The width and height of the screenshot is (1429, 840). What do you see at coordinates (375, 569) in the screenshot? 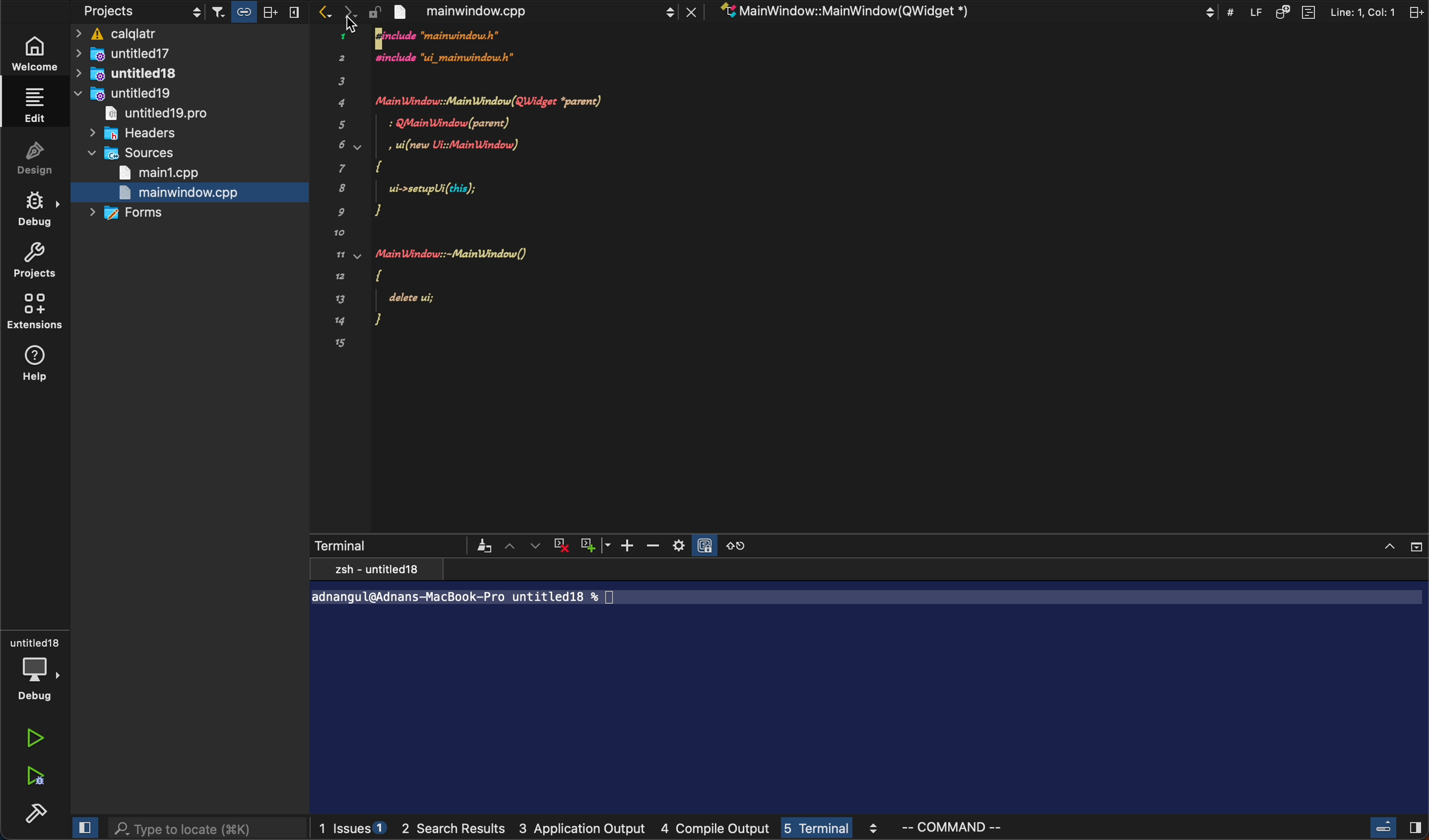
I see `text` at bounding box center [375, 569].